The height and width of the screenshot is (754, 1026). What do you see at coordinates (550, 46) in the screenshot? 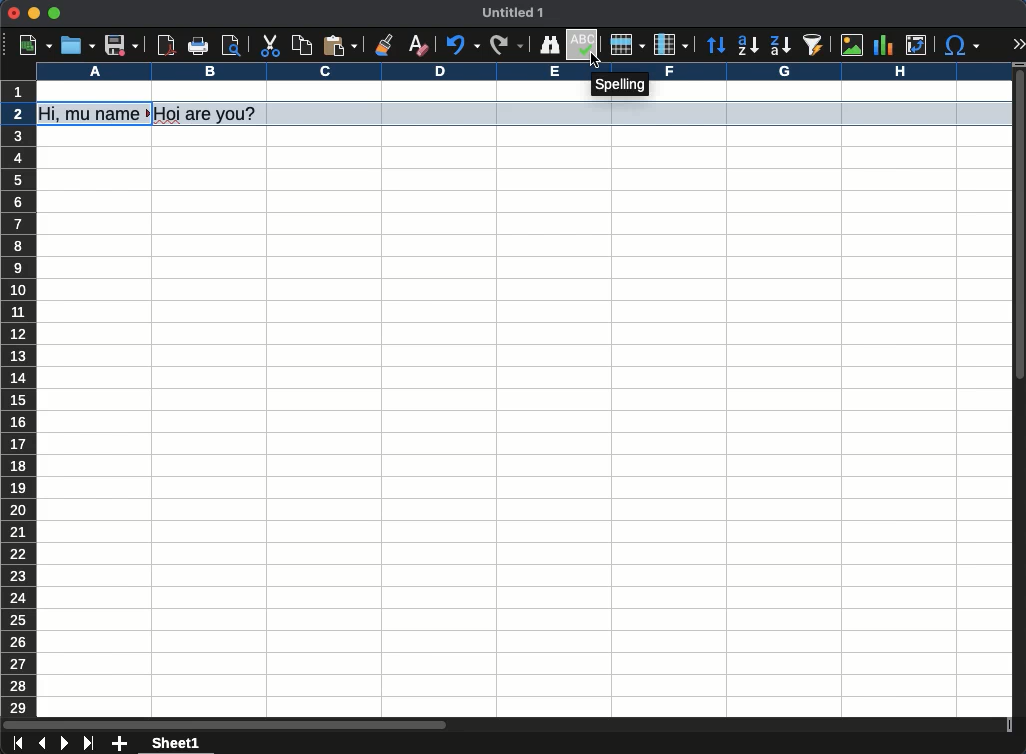
I see `finder` at bounding box center [550, 46].